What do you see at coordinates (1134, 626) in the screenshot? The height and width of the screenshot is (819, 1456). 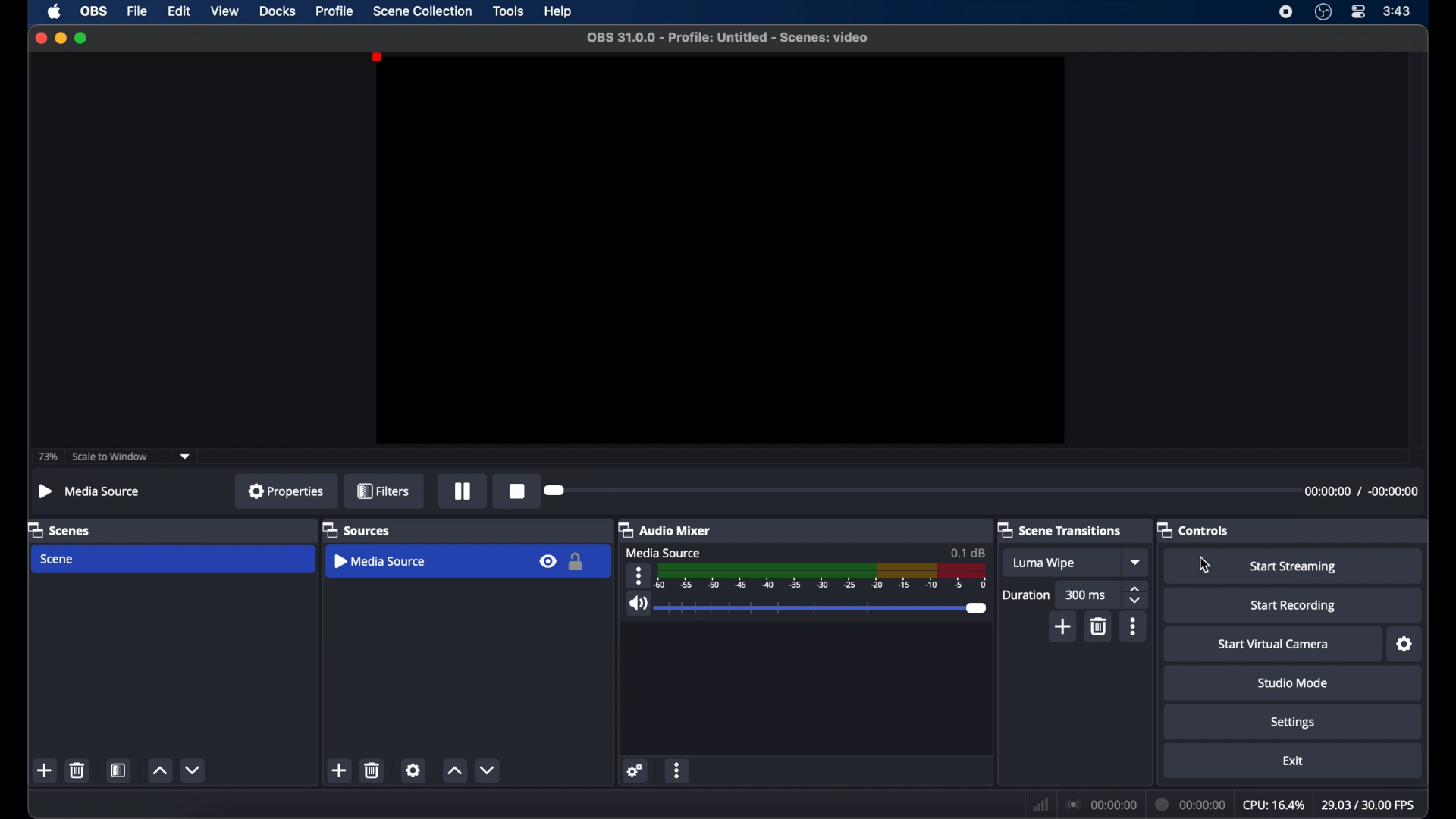 I see `more options` at bounding box center [1134, 626].